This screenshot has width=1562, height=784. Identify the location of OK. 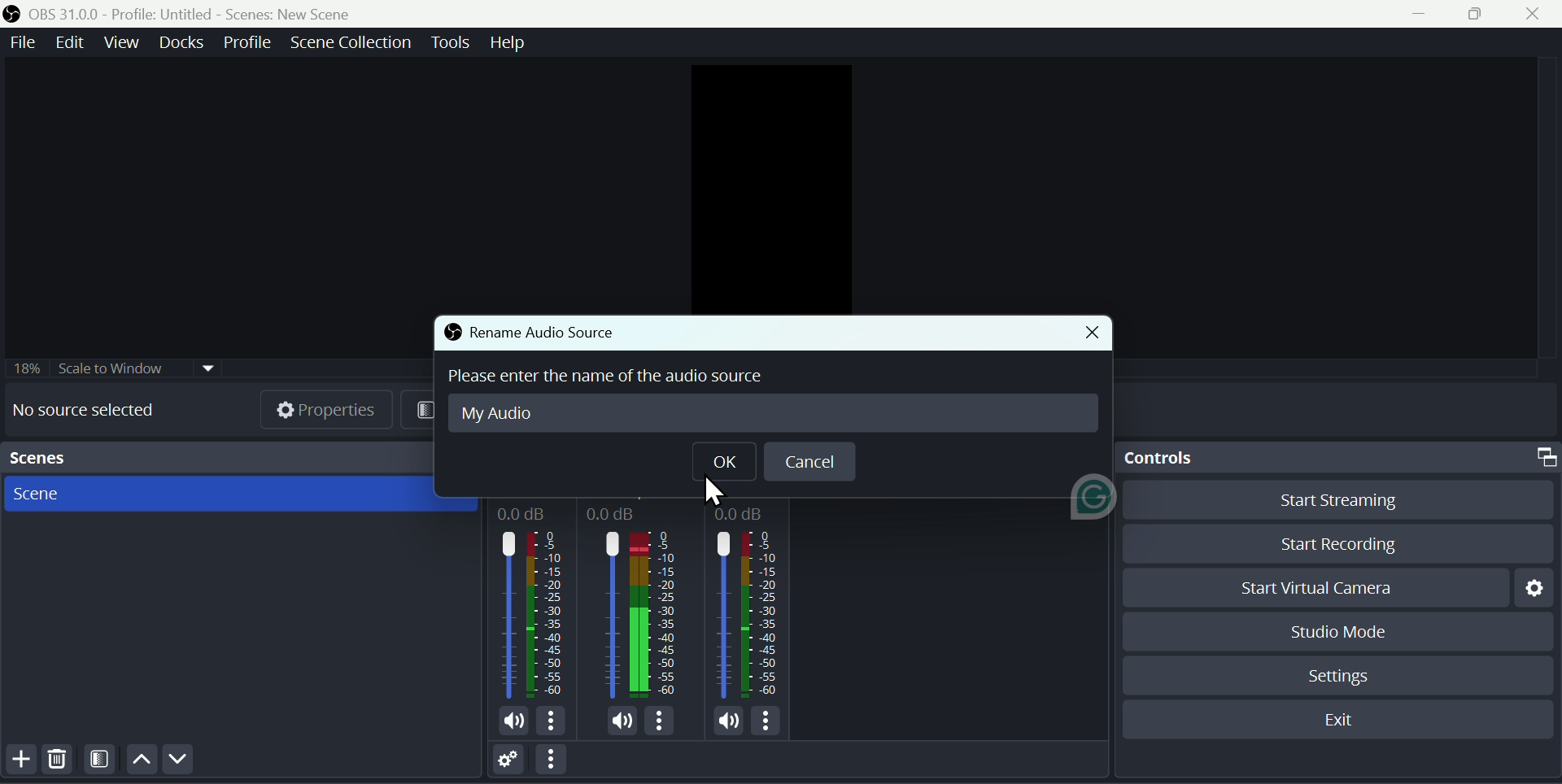
(722, 460).